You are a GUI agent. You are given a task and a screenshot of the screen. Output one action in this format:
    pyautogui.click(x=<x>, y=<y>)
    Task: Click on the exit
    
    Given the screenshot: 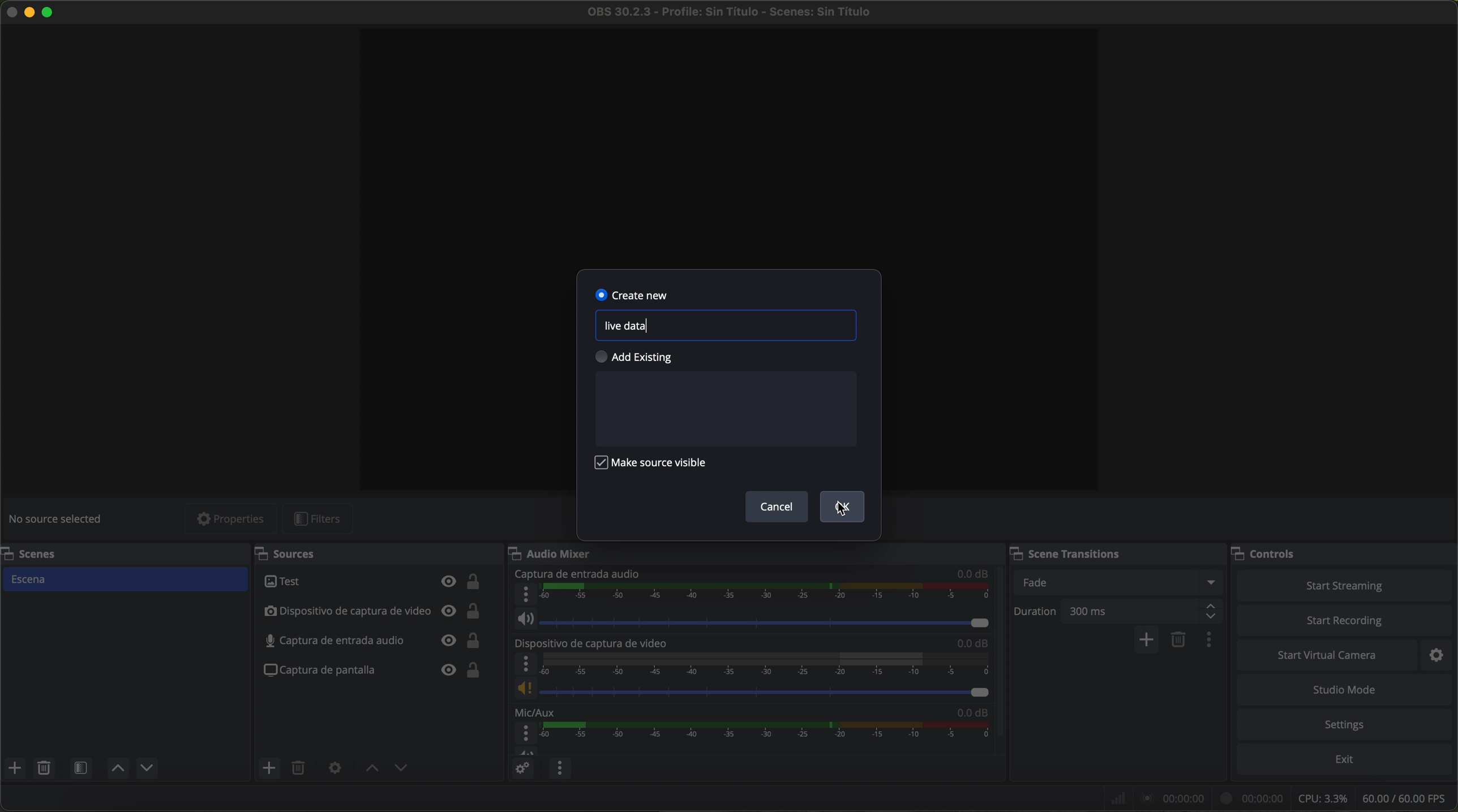 What is the action you would take?
    pyautogui.click(x=1348, y=760)
    